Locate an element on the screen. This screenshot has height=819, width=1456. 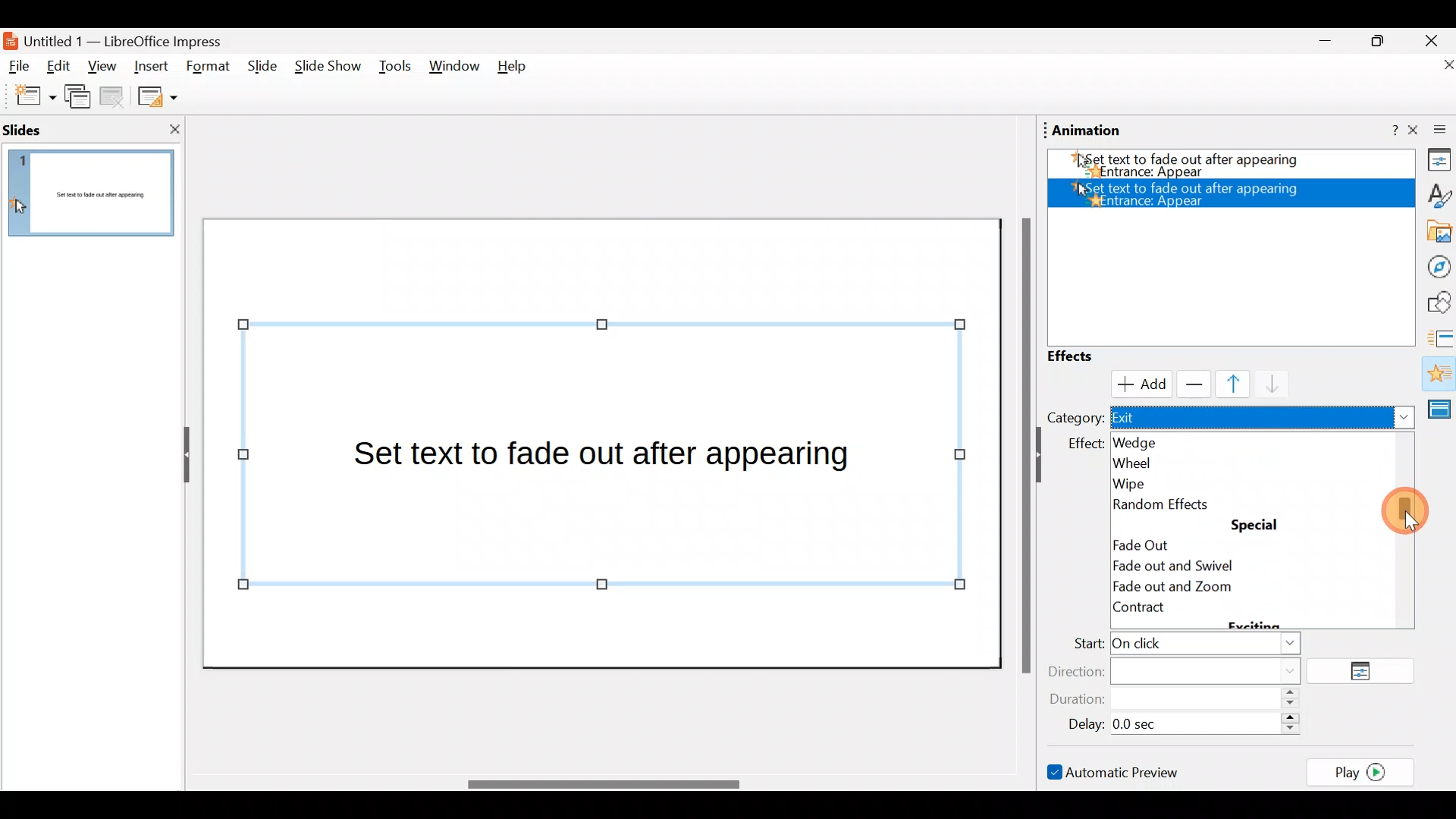
Scroll bar is located at coordinates (1023, 444).